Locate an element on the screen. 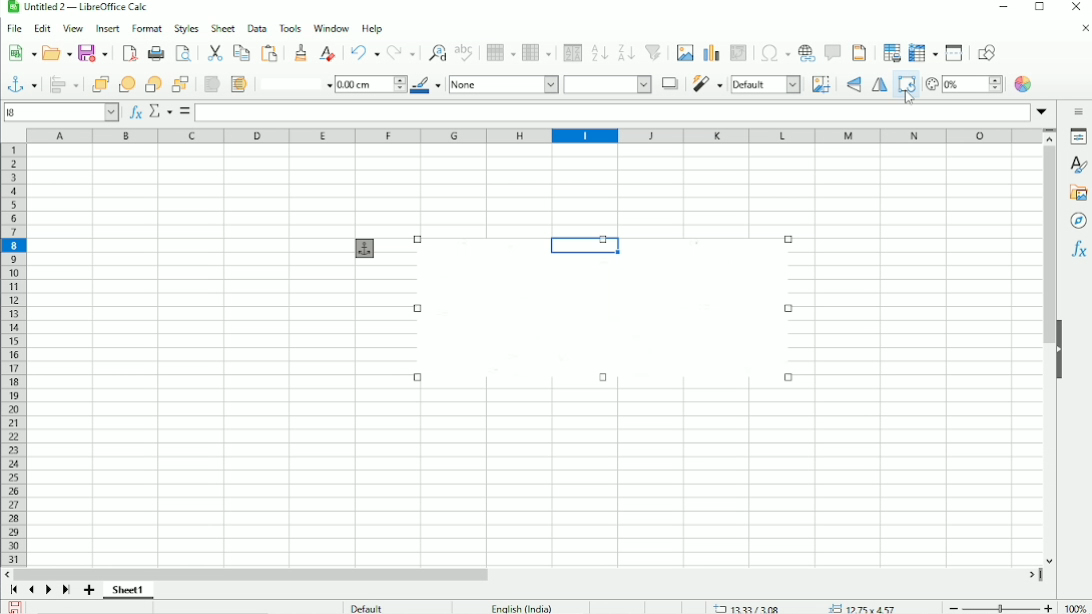 This screenshot has width=1092, height=614. Default is located at coordinates (767, 85).